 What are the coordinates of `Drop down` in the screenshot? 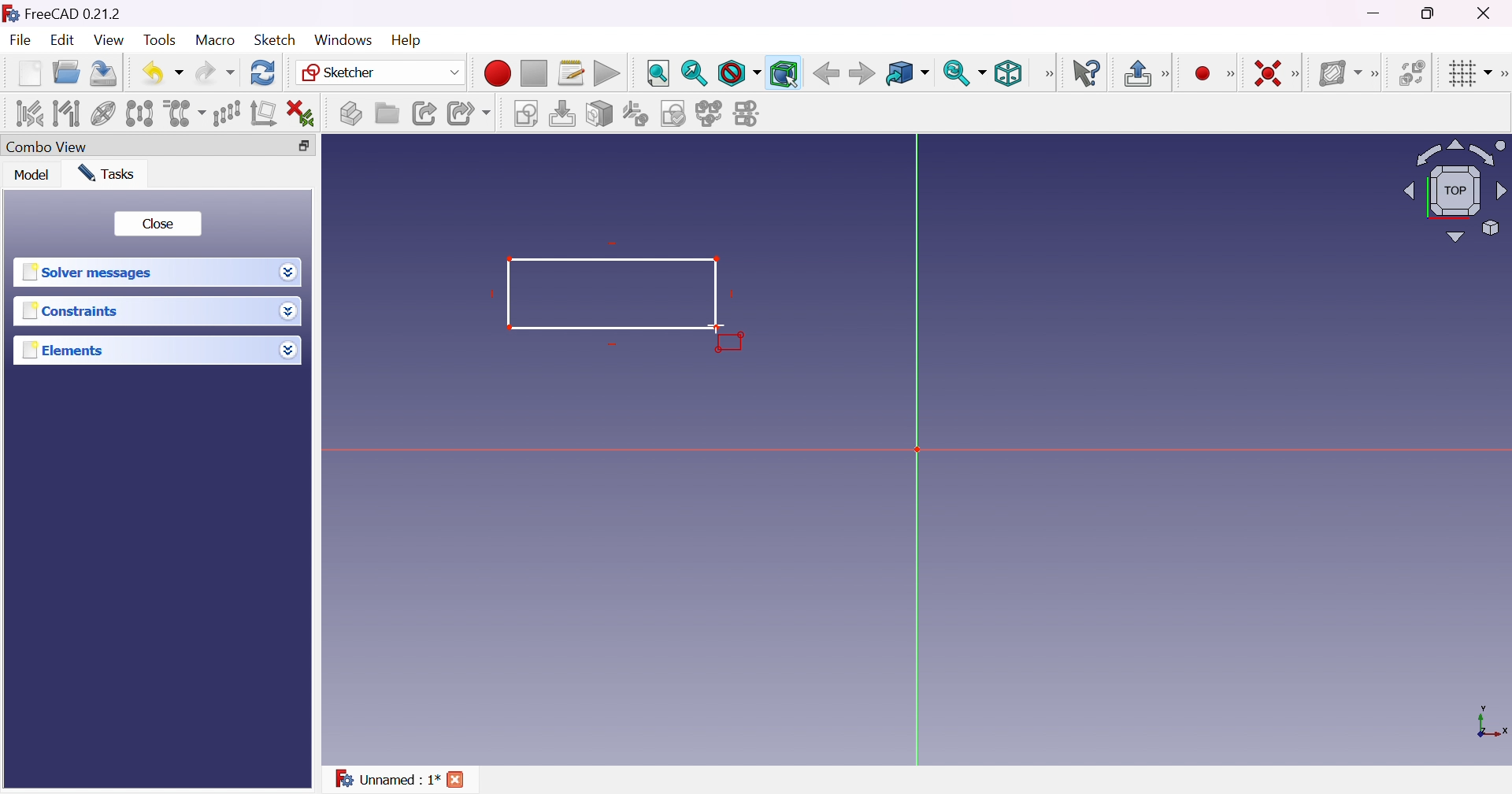 It's located at (289, 272).